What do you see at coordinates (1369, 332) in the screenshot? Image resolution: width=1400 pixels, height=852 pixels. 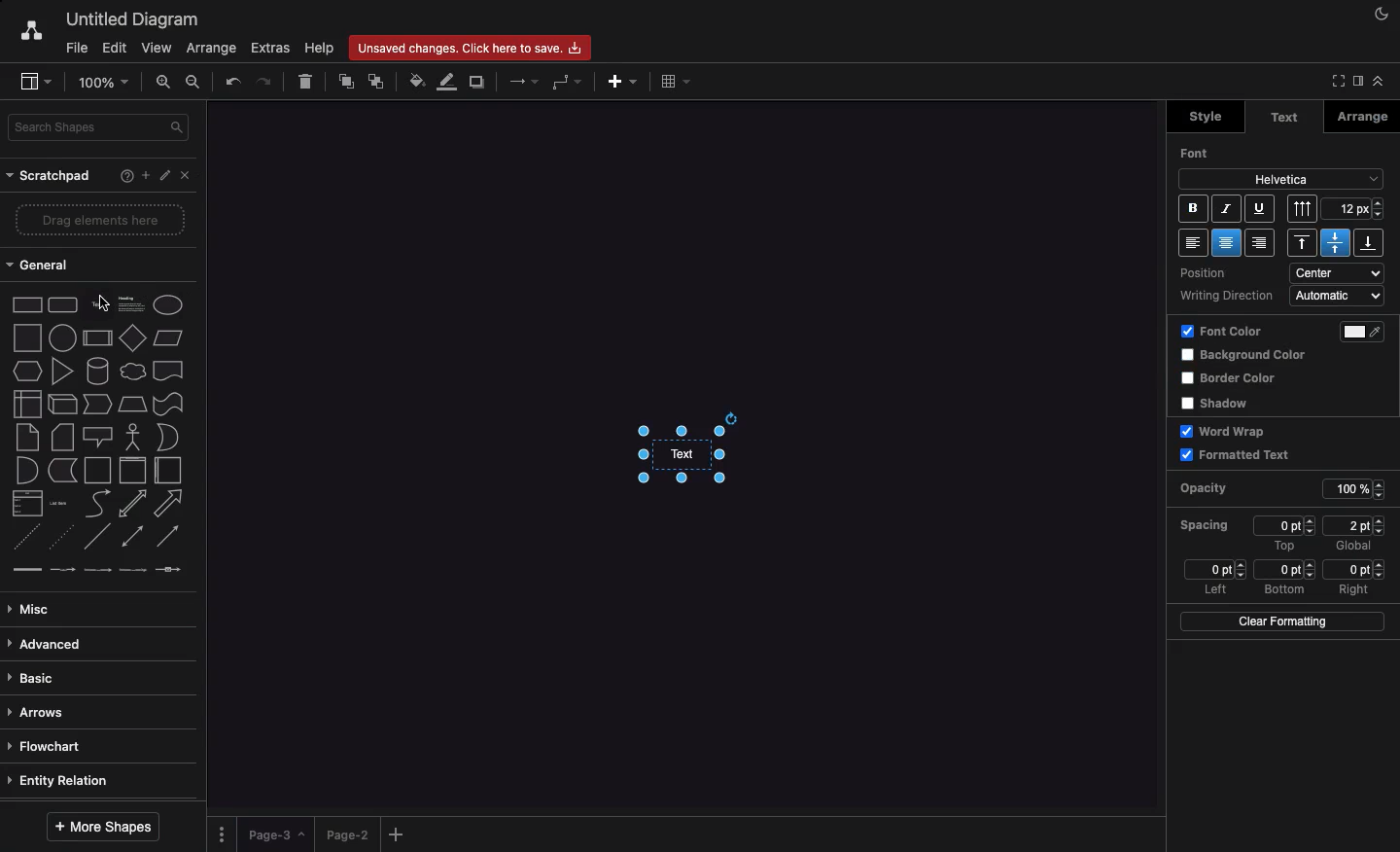 I see `Font color` at bounding box center [1369, 332].